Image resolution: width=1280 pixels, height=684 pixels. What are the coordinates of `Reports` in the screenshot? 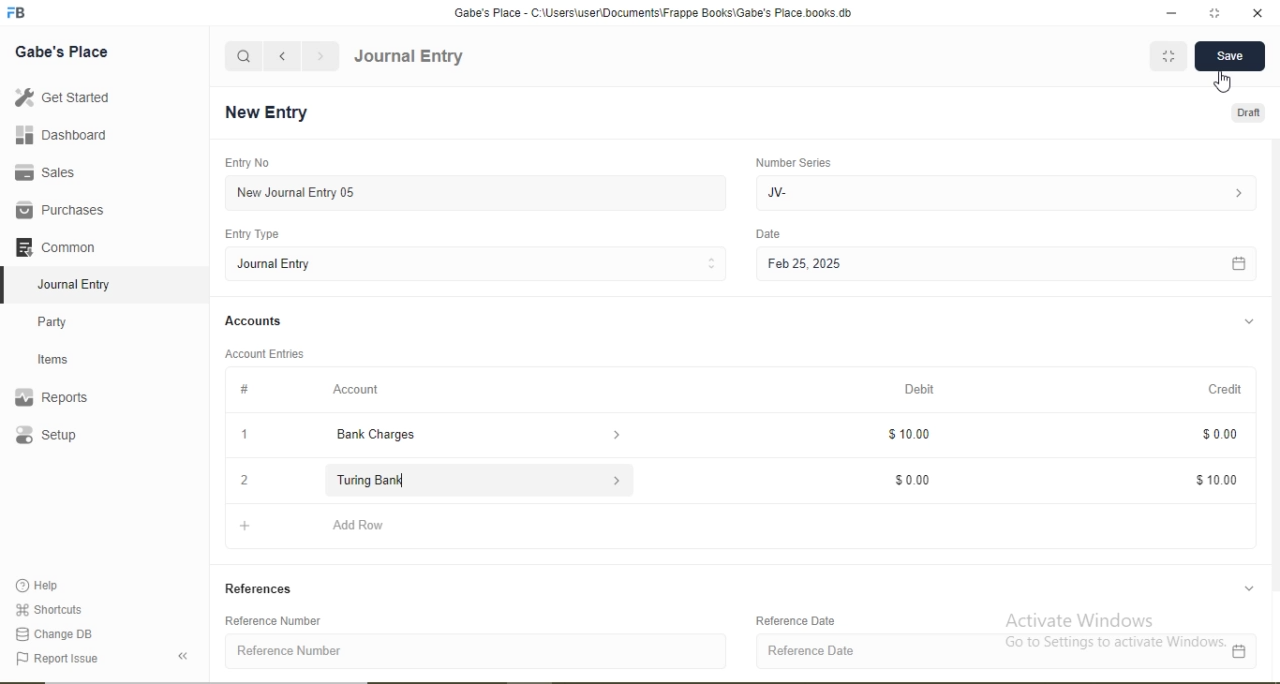 It's located at (61, 398).